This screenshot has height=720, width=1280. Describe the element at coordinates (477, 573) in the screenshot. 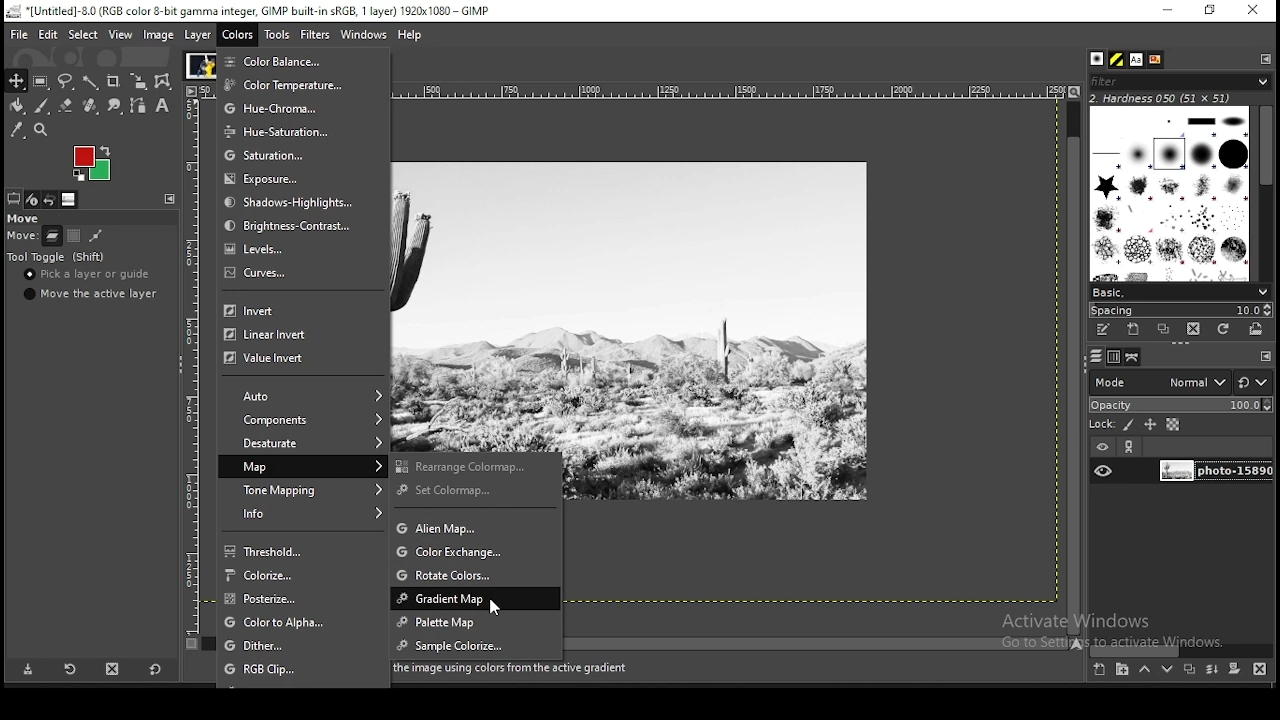

I see `rotate colors` at that location.